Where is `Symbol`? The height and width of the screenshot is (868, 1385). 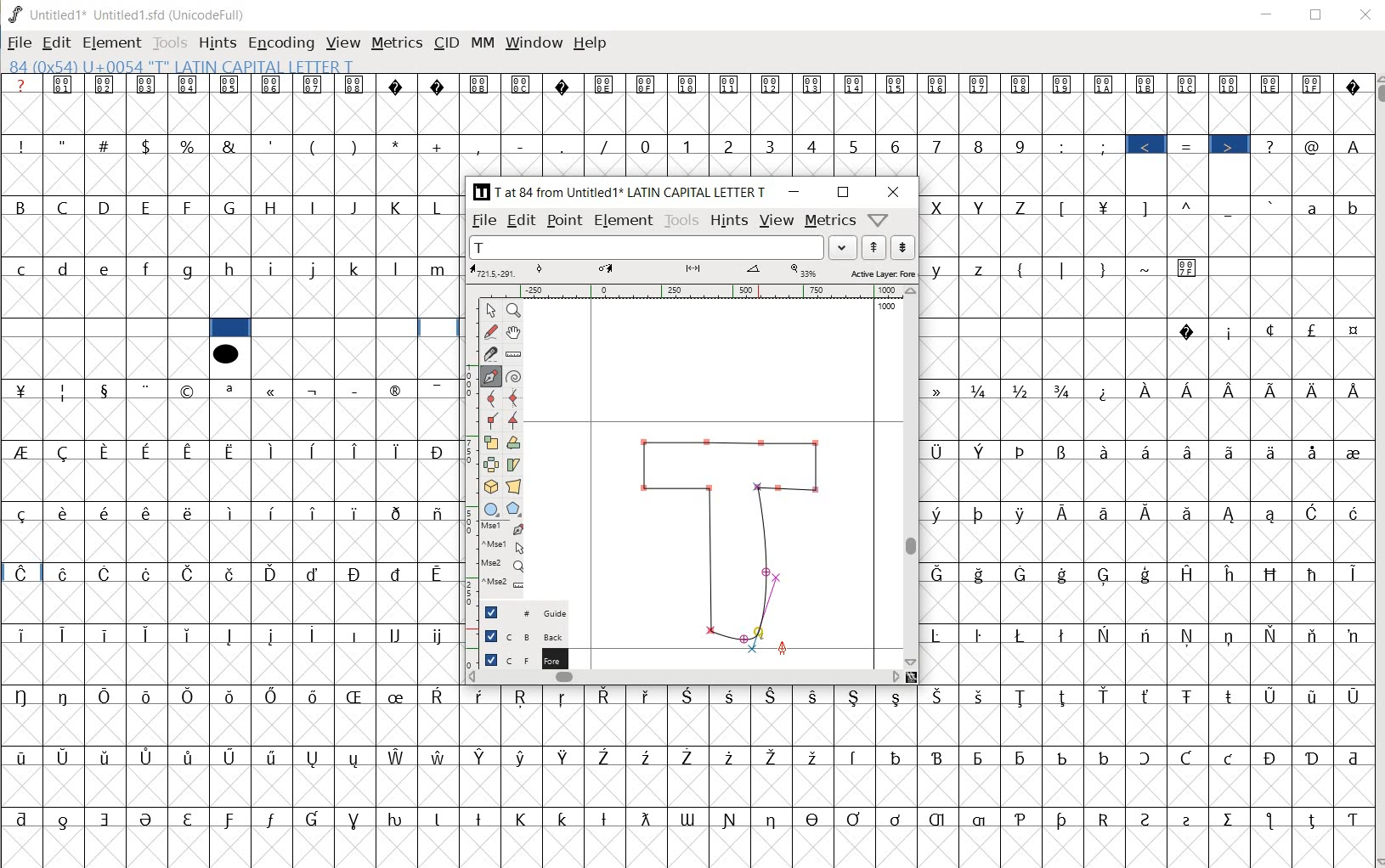 Symbol is located at coordinates (1230, 514).